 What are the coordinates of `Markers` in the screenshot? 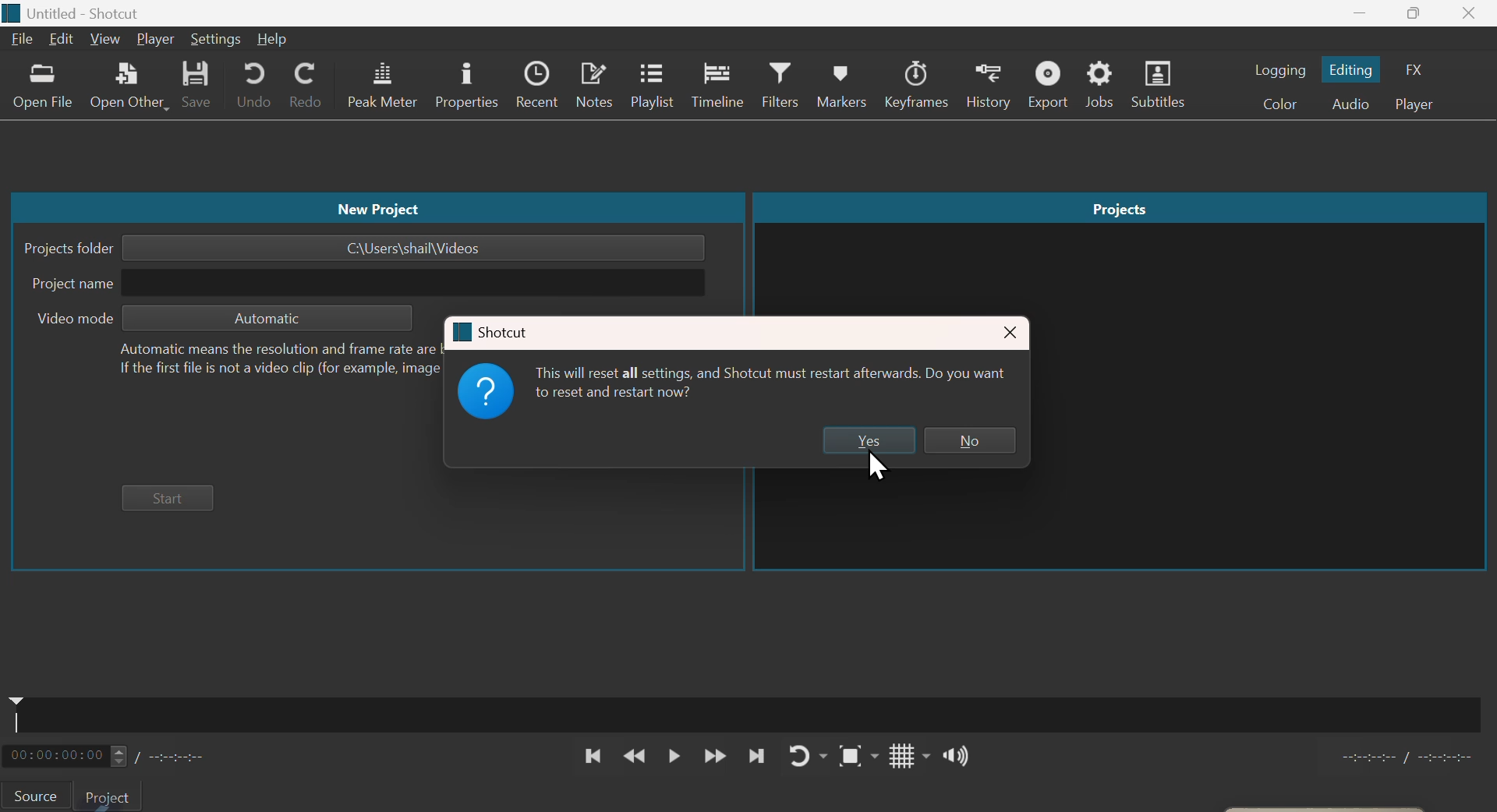 It's located at (844, 84).